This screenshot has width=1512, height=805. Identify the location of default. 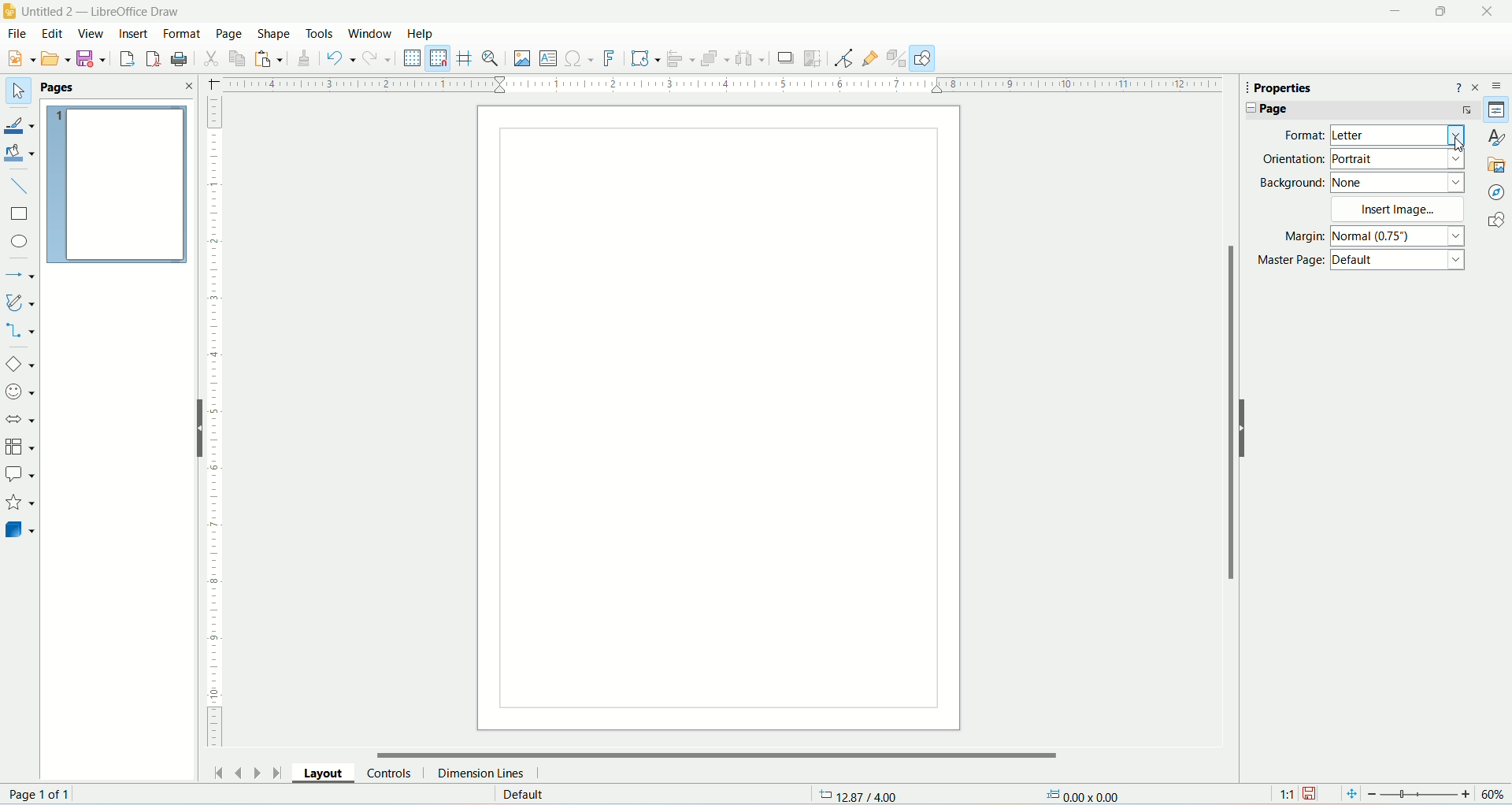
(527, 794).